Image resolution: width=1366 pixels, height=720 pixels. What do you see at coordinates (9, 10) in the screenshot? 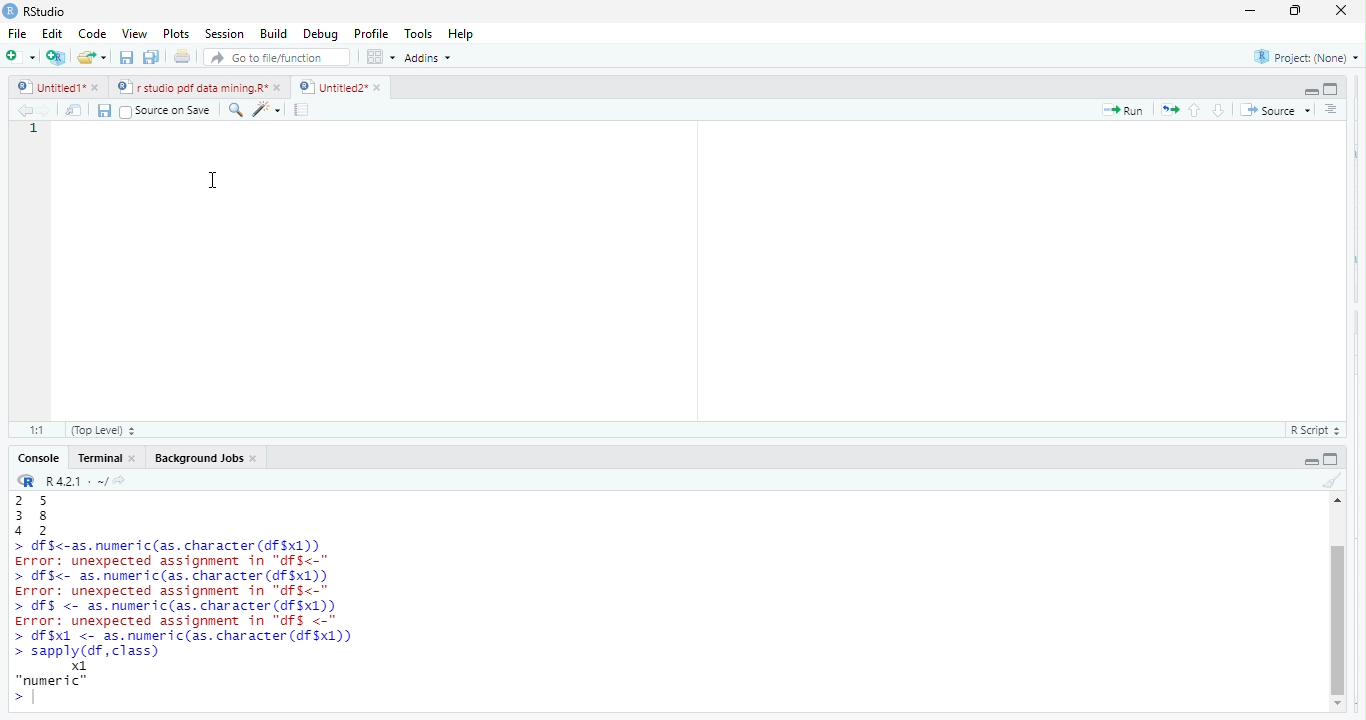
I see `r studio logo` at bounding box center [9, 10].